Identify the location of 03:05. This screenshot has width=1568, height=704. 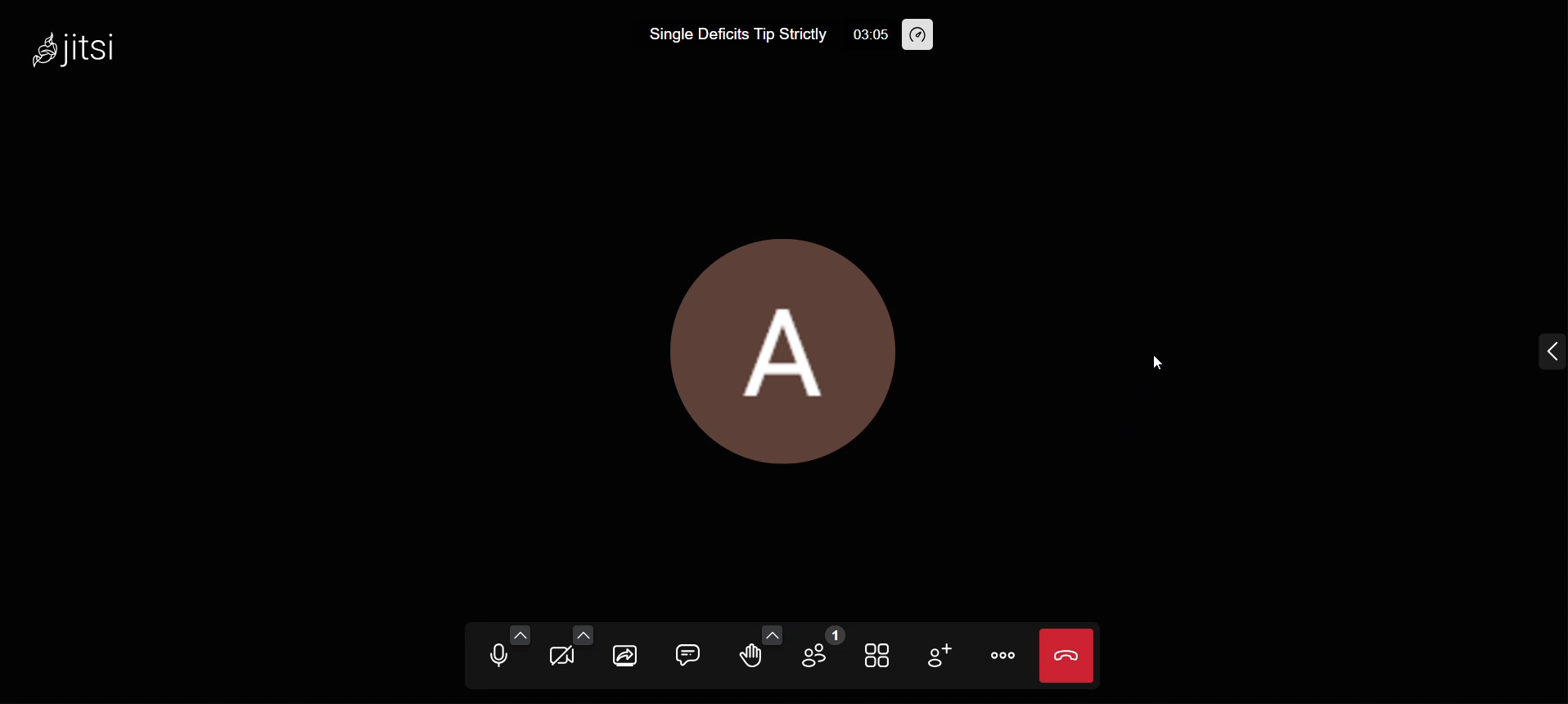
(863, 35).